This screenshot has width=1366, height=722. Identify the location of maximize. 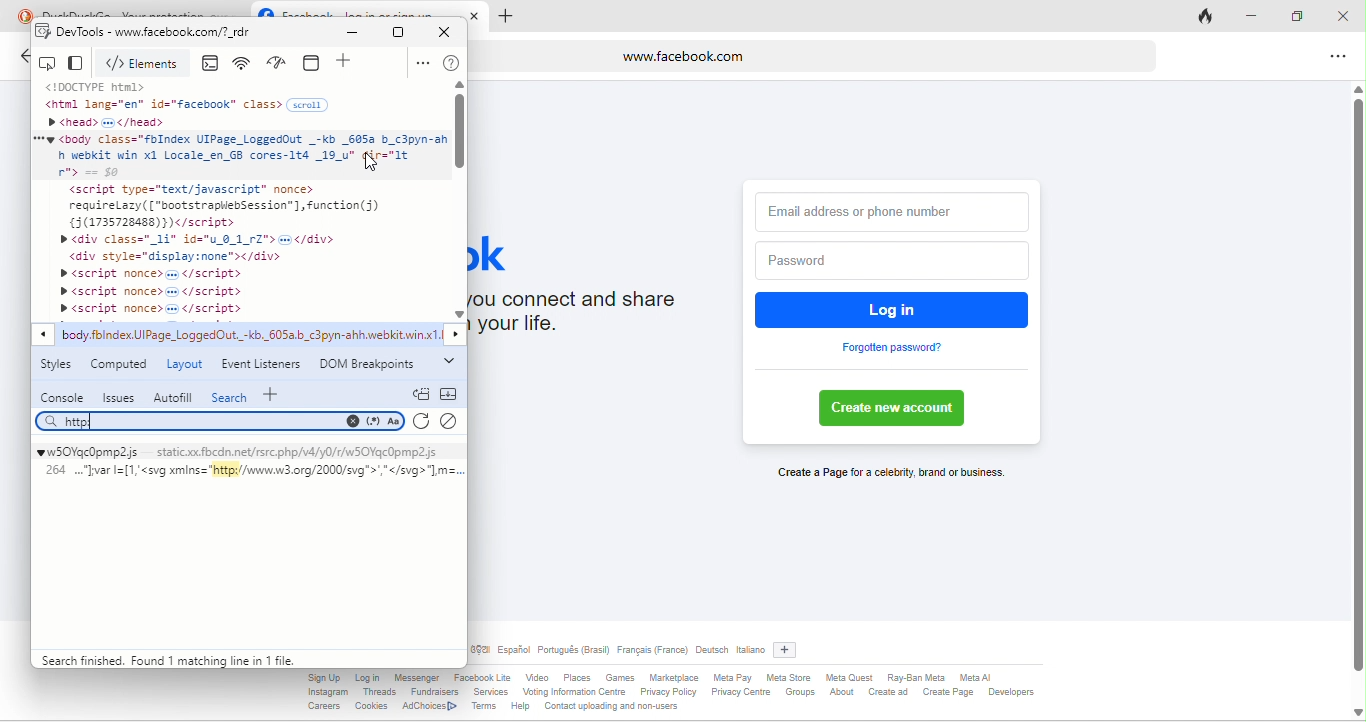
(399, 32).